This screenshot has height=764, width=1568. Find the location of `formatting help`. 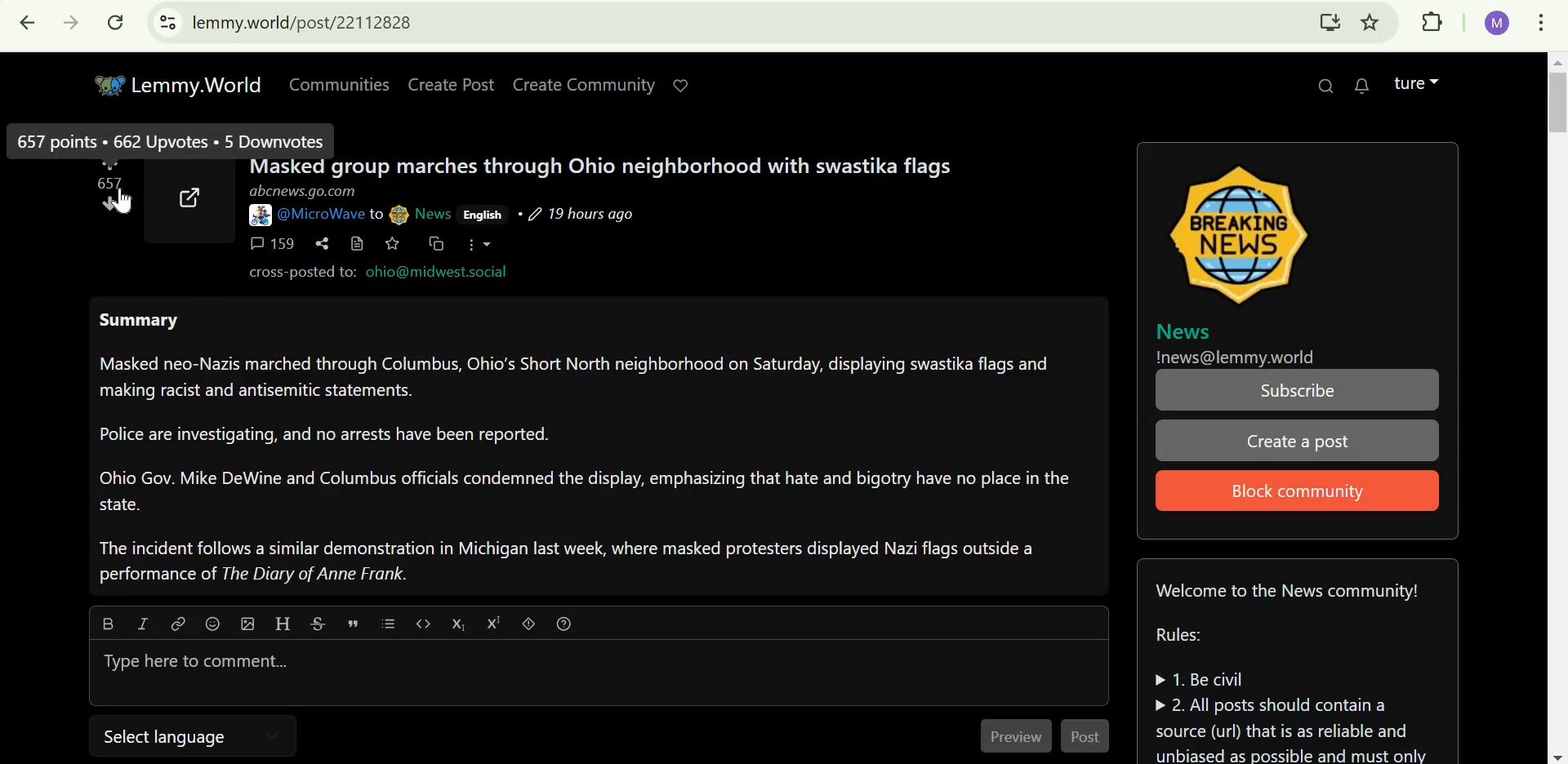

formatting help is located at coordinates (565, 624).